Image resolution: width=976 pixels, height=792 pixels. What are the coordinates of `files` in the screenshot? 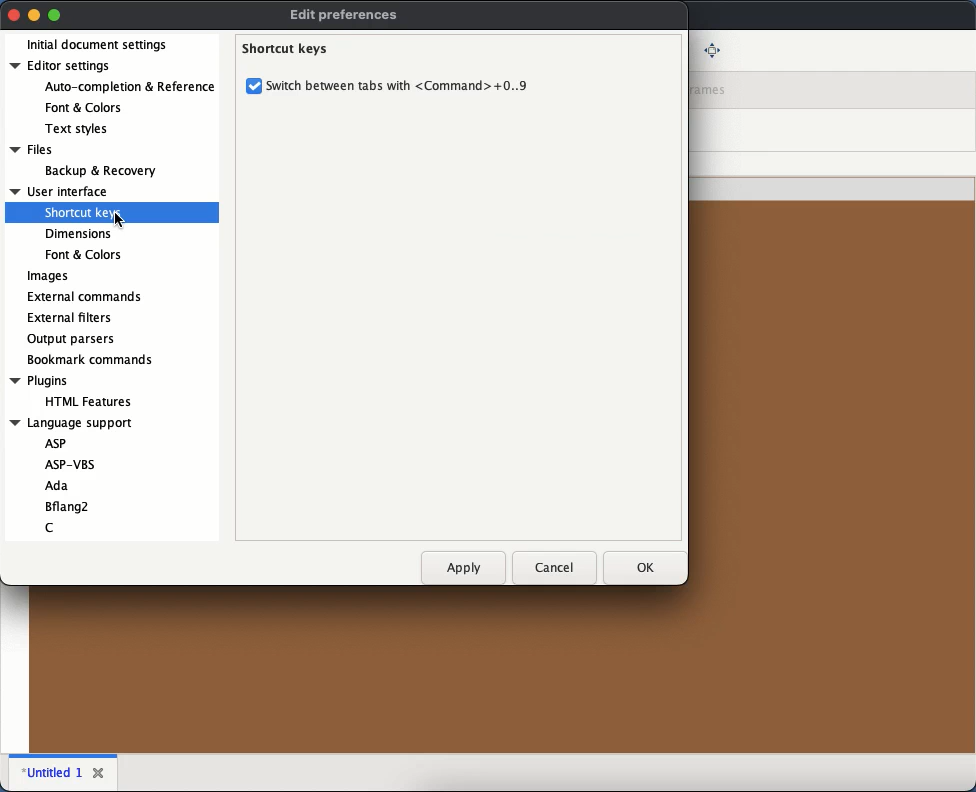 It's located at (41, 150).